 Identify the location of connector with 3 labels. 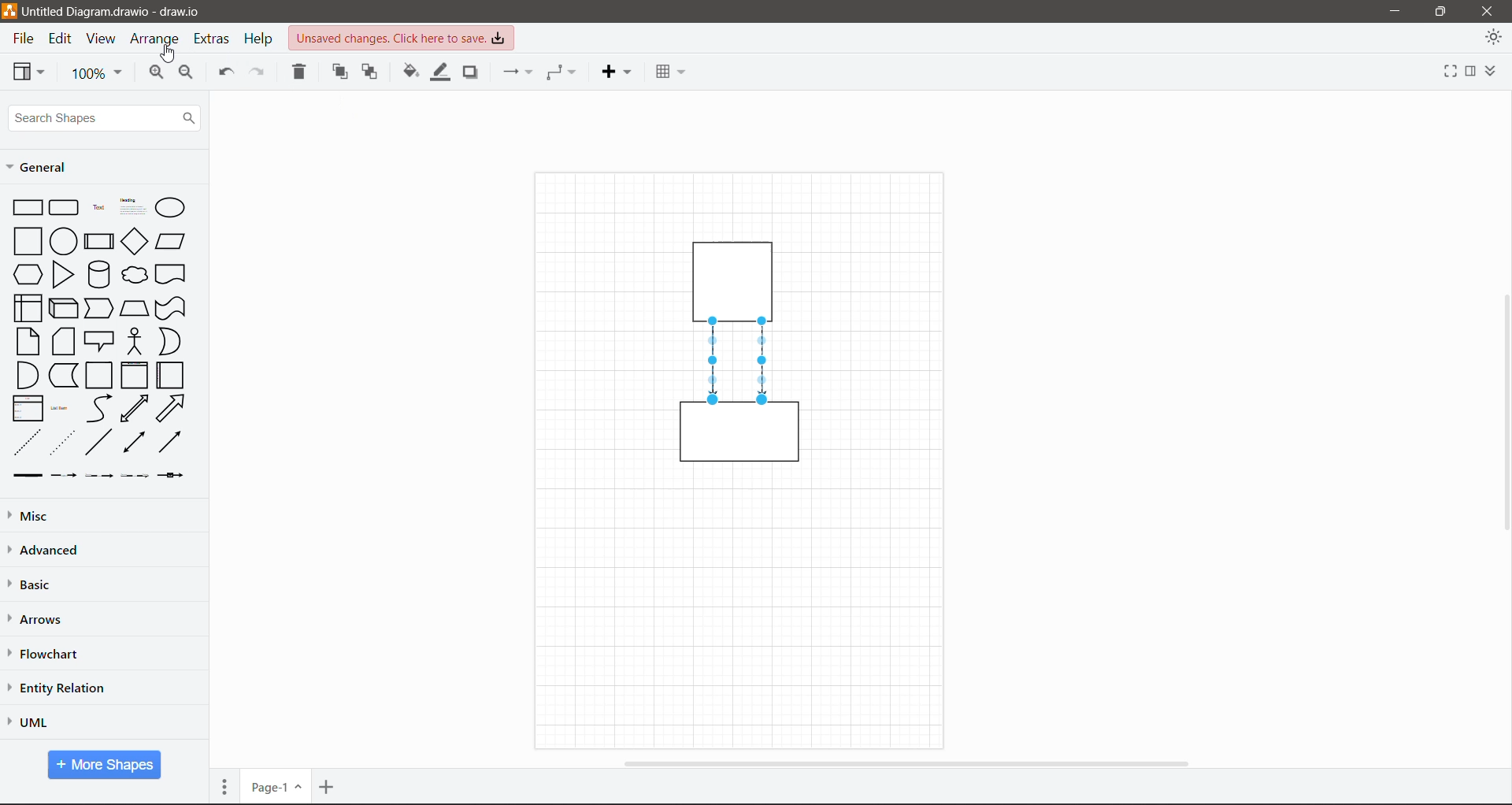
(135, 476).